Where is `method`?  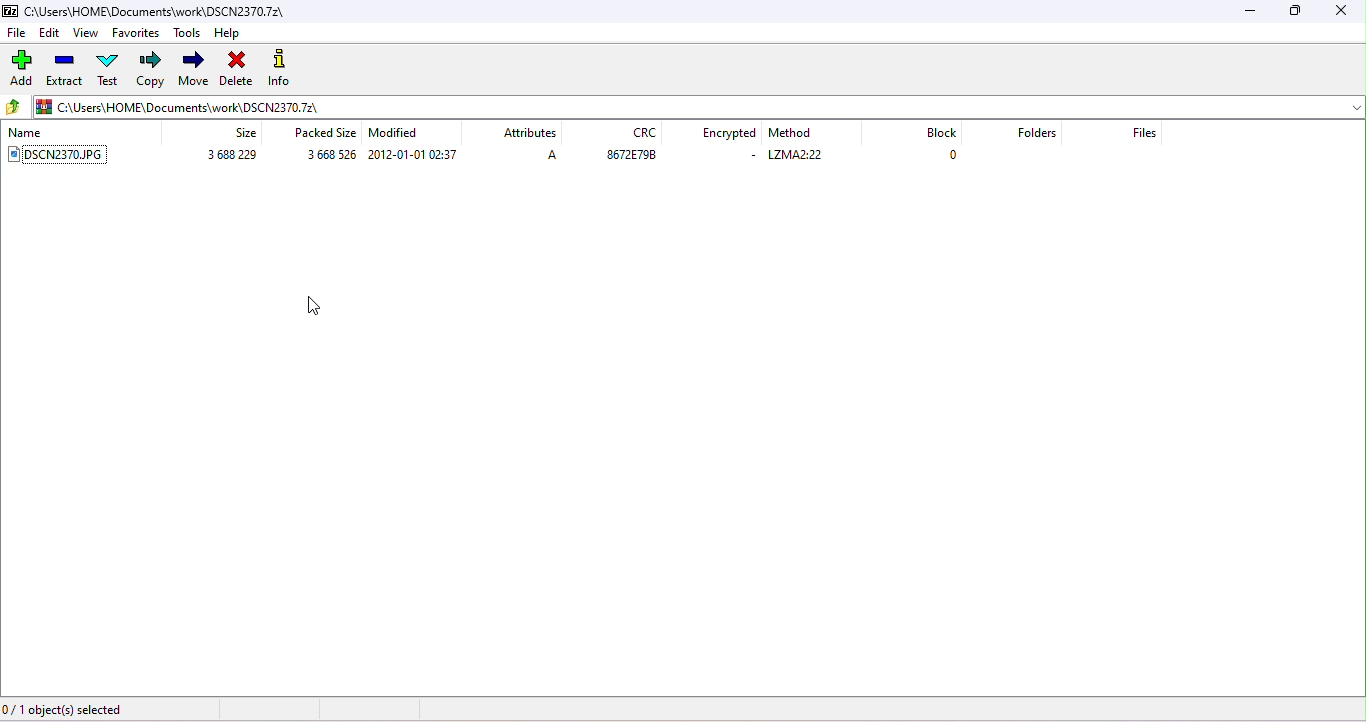
method is located at coordinates (791, 135).